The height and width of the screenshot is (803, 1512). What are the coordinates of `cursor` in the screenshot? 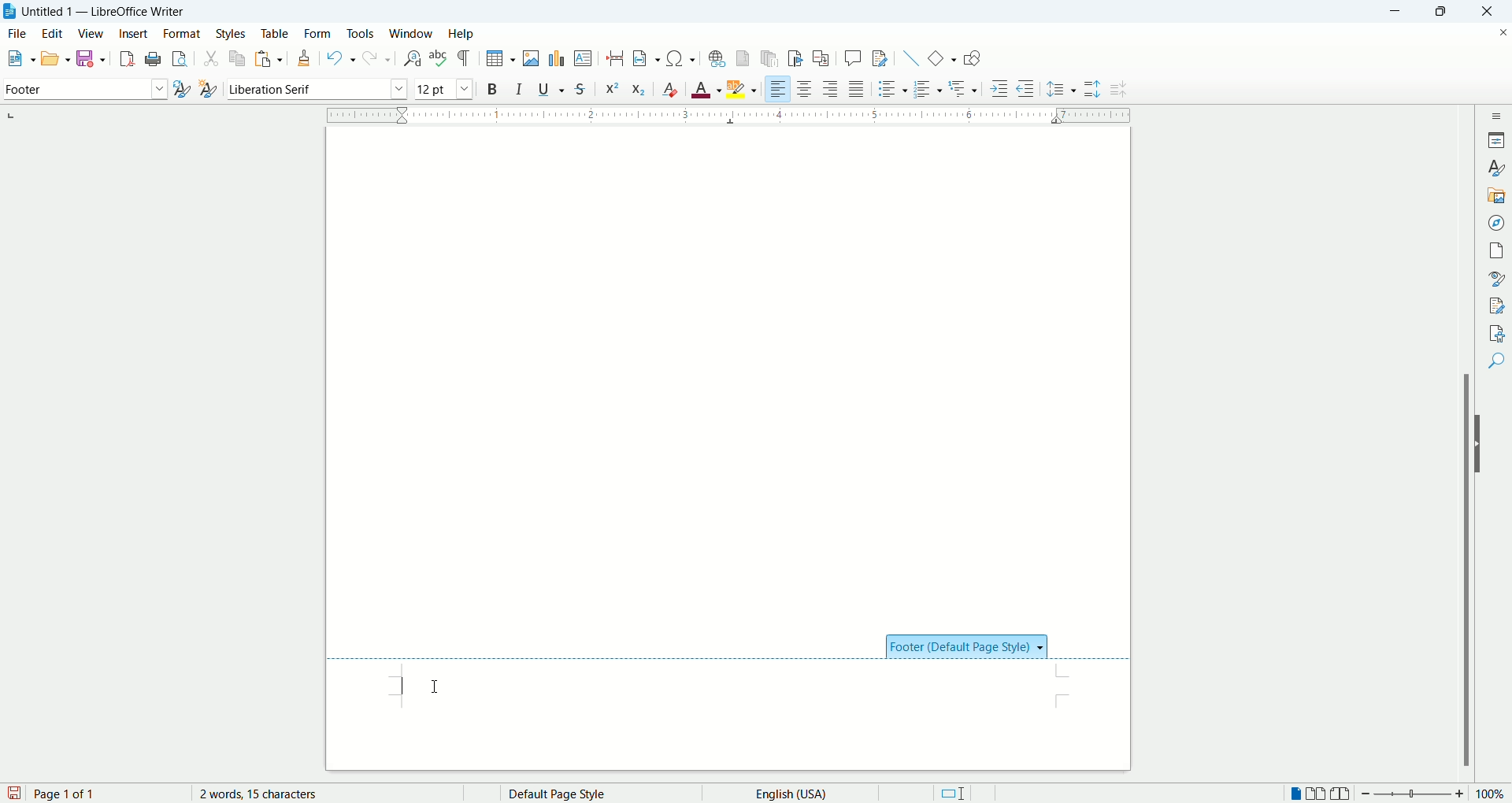 It's located at (450, 685).